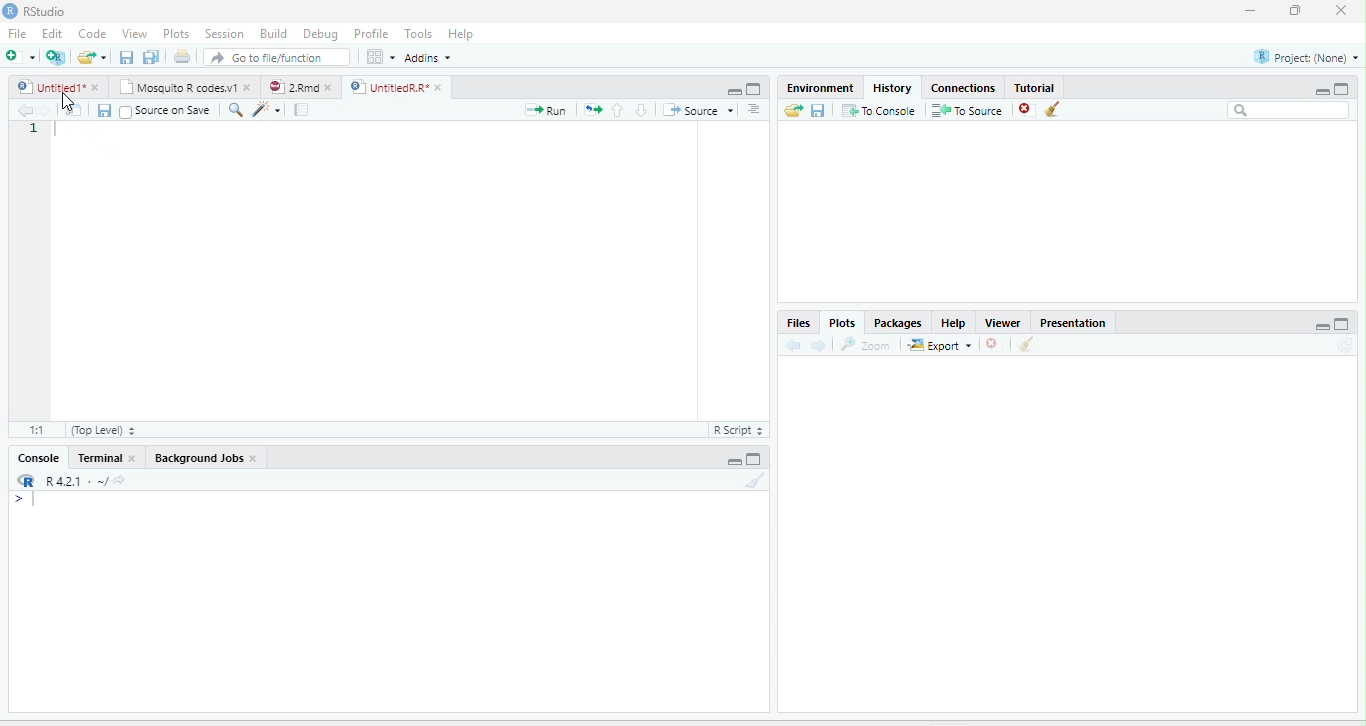 The height and width of the screenshot is (726, 1366). What do you see at coordinates (460, 33) in the screenshot?
I see `Help` at bounding box center [460, 33].